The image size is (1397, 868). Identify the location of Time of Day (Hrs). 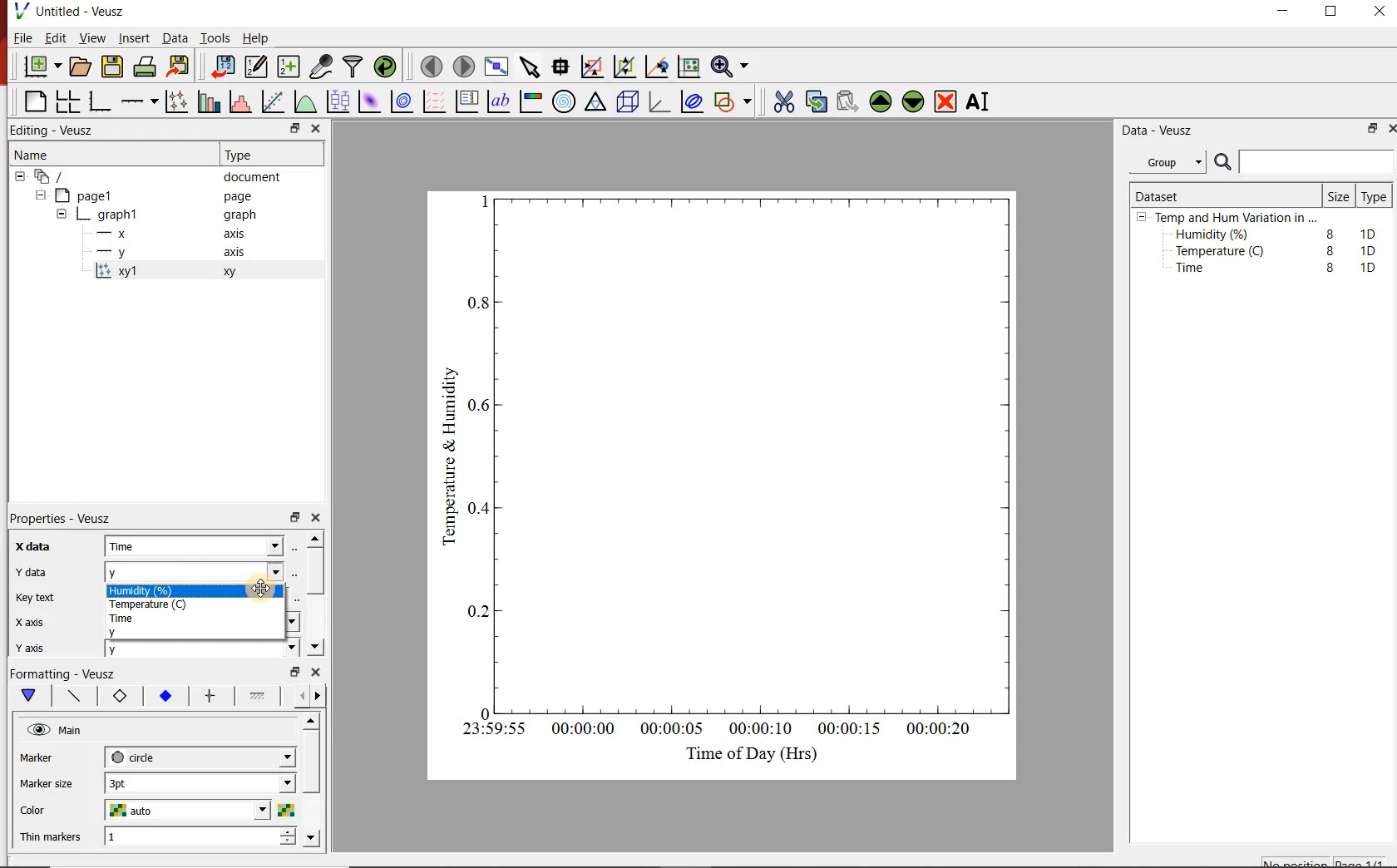
(745, 753).